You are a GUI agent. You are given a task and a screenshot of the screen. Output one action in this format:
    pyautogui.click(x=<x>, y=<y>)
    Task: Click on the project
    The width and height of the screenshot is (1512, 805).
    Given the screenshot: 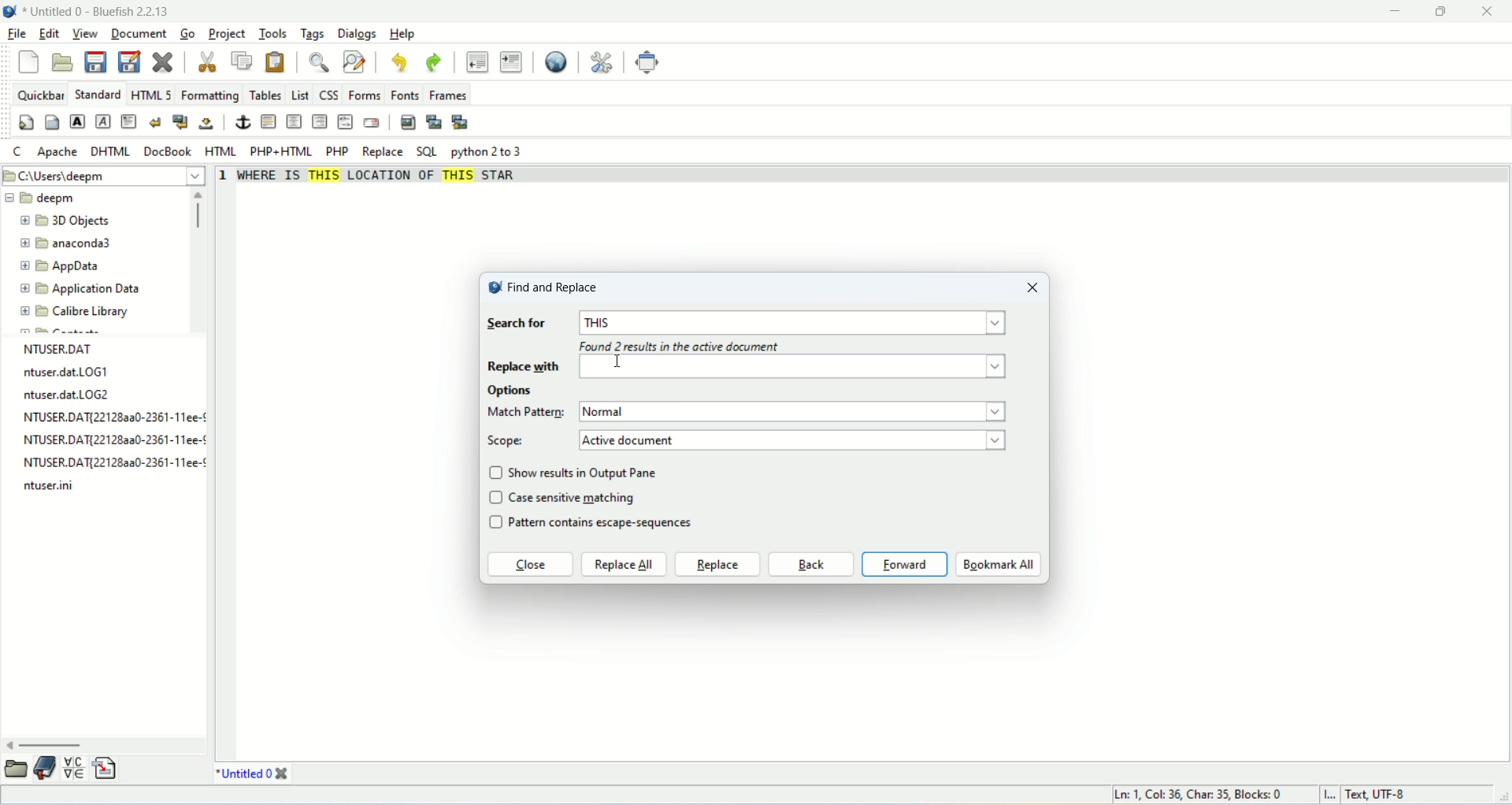 What is the action you would take?
    pyautogui.click(x=227, y=34)
    